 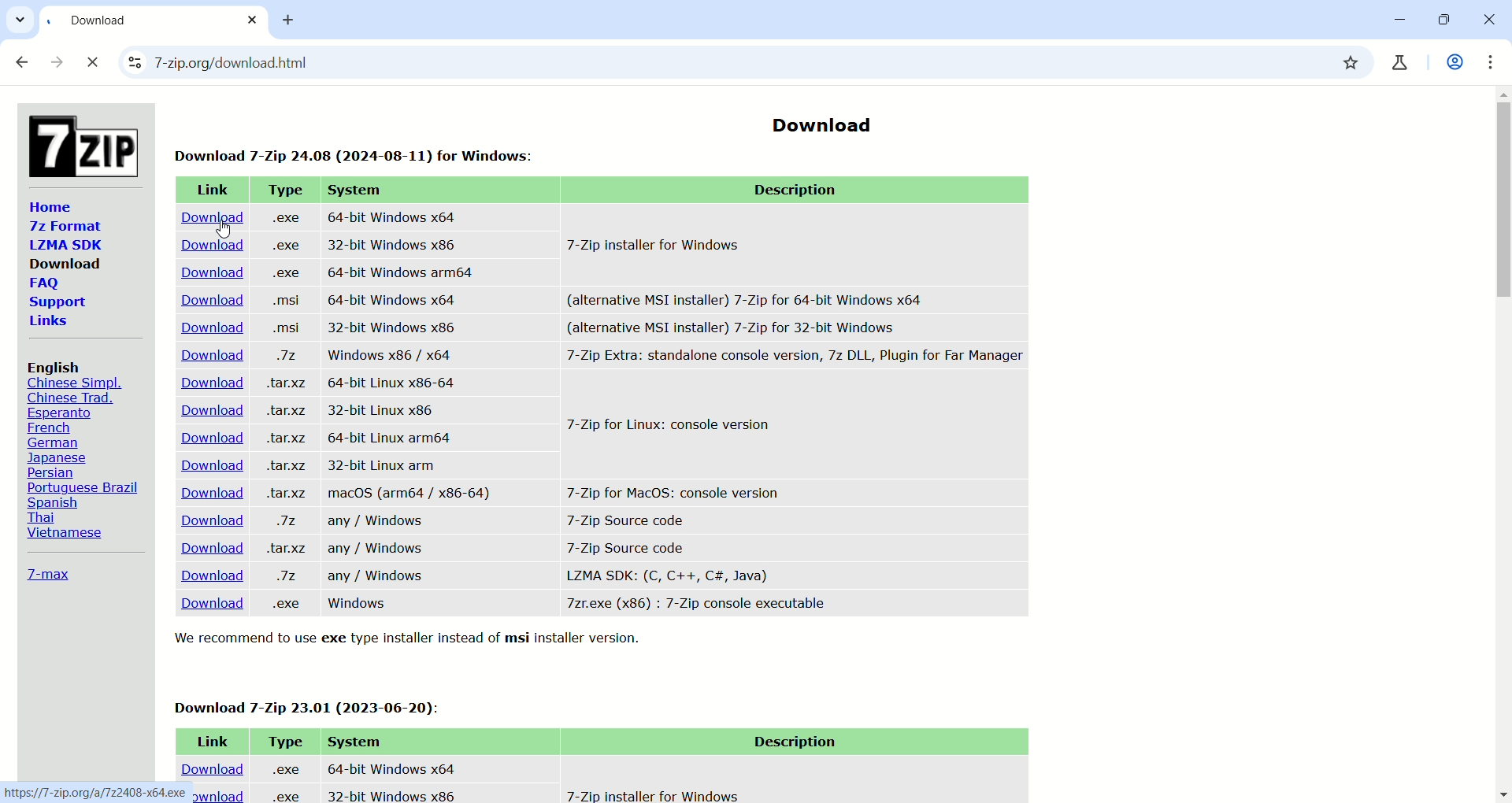 I want to click on Description, so click(x=802, y=191).